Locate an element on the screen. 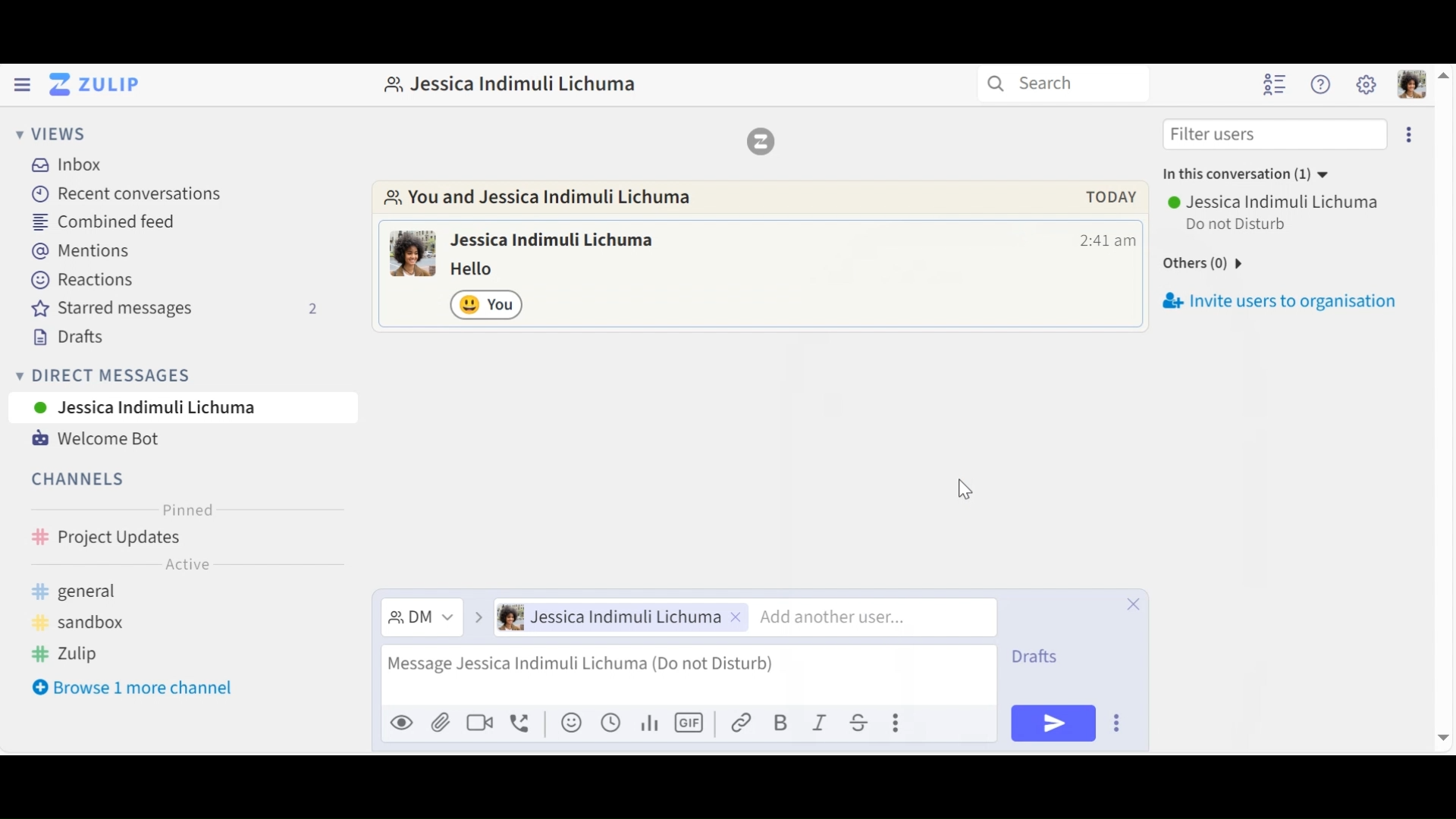 The width and height of the screenshot is (1456, 819). zulip is located at coordinates (74, 655).